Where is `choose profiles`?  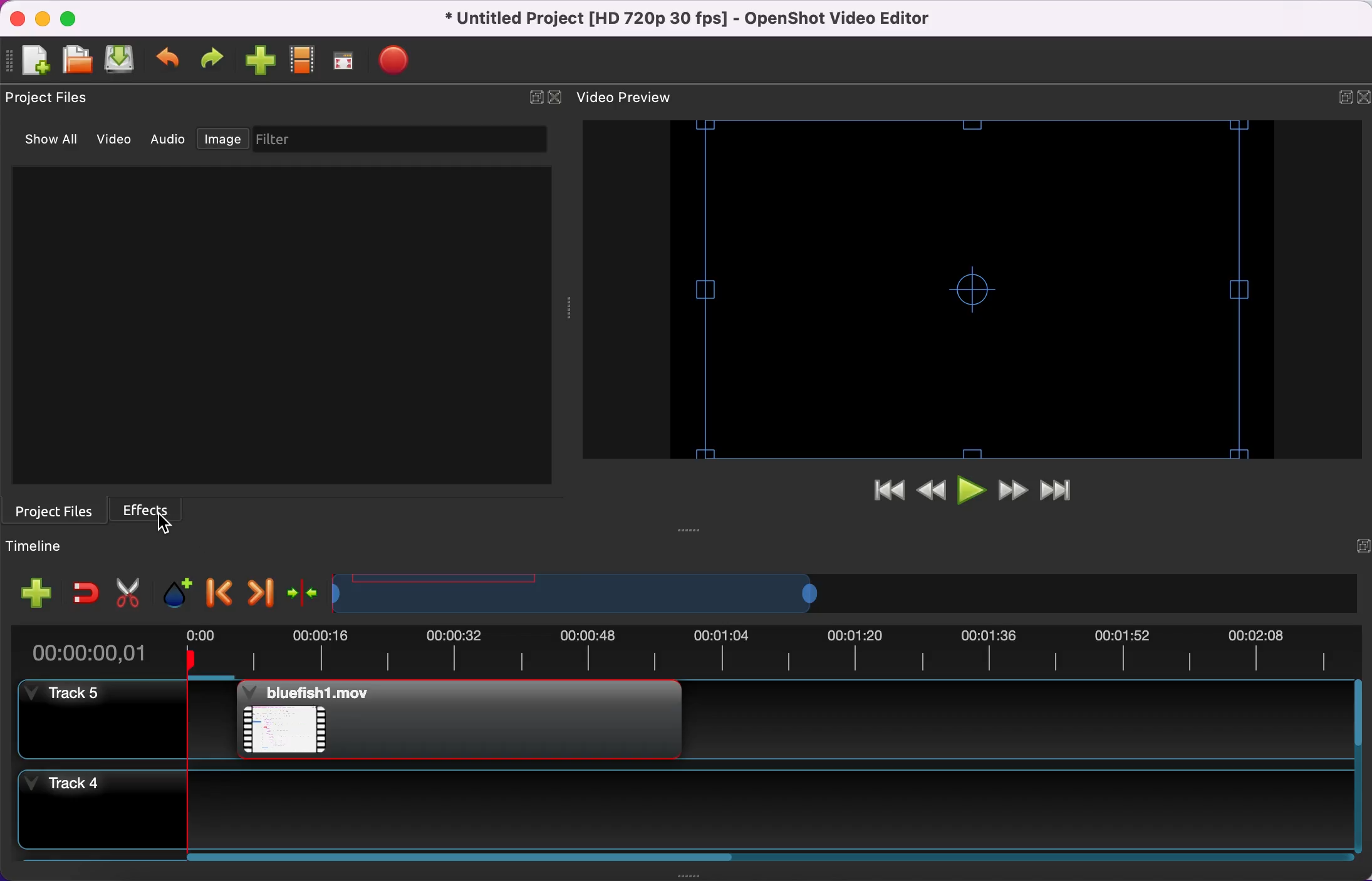 choose profiles is located at coordinates (304, 64).